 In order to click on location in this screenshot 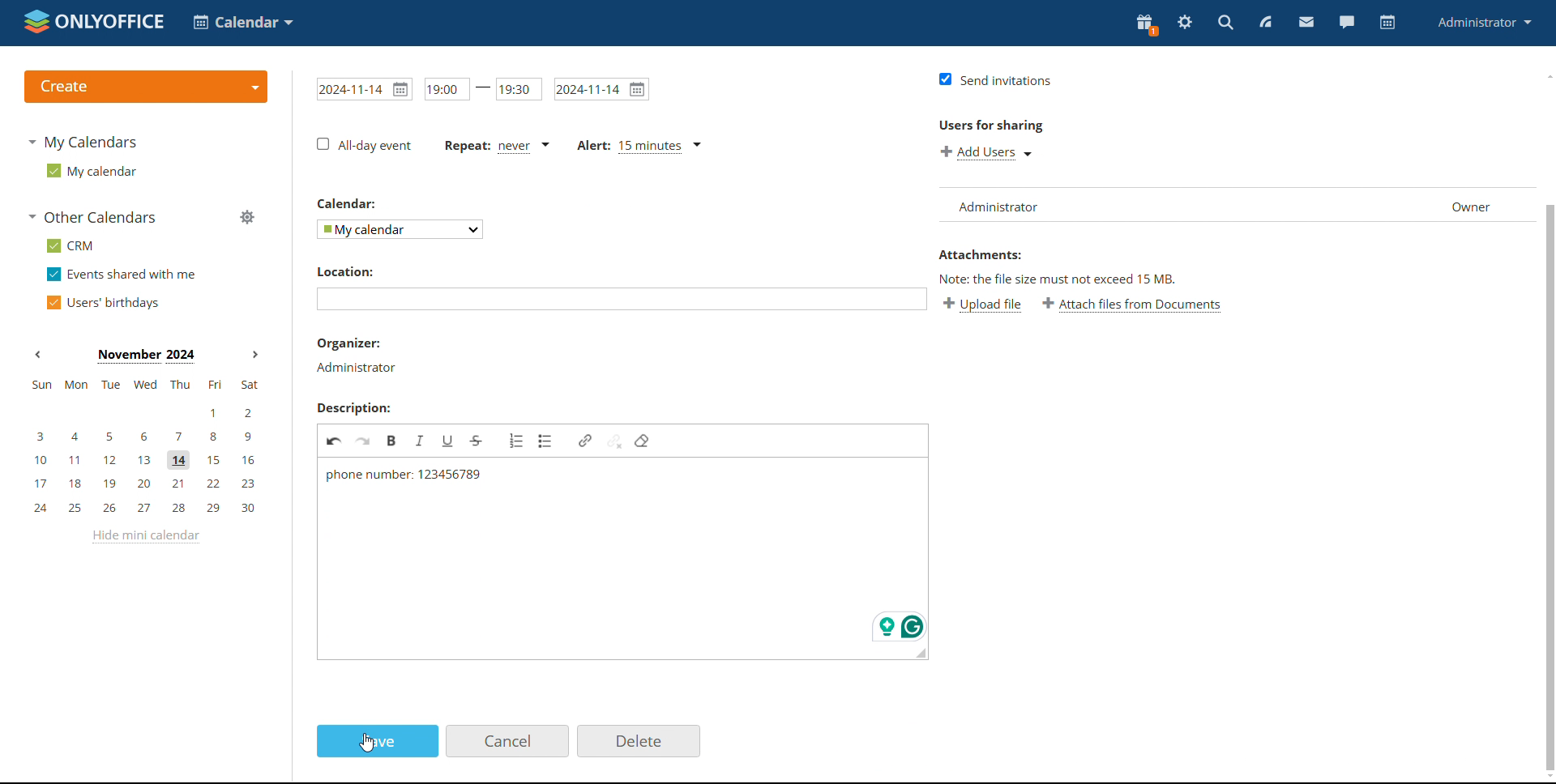, I will do `click(345, 271)`.